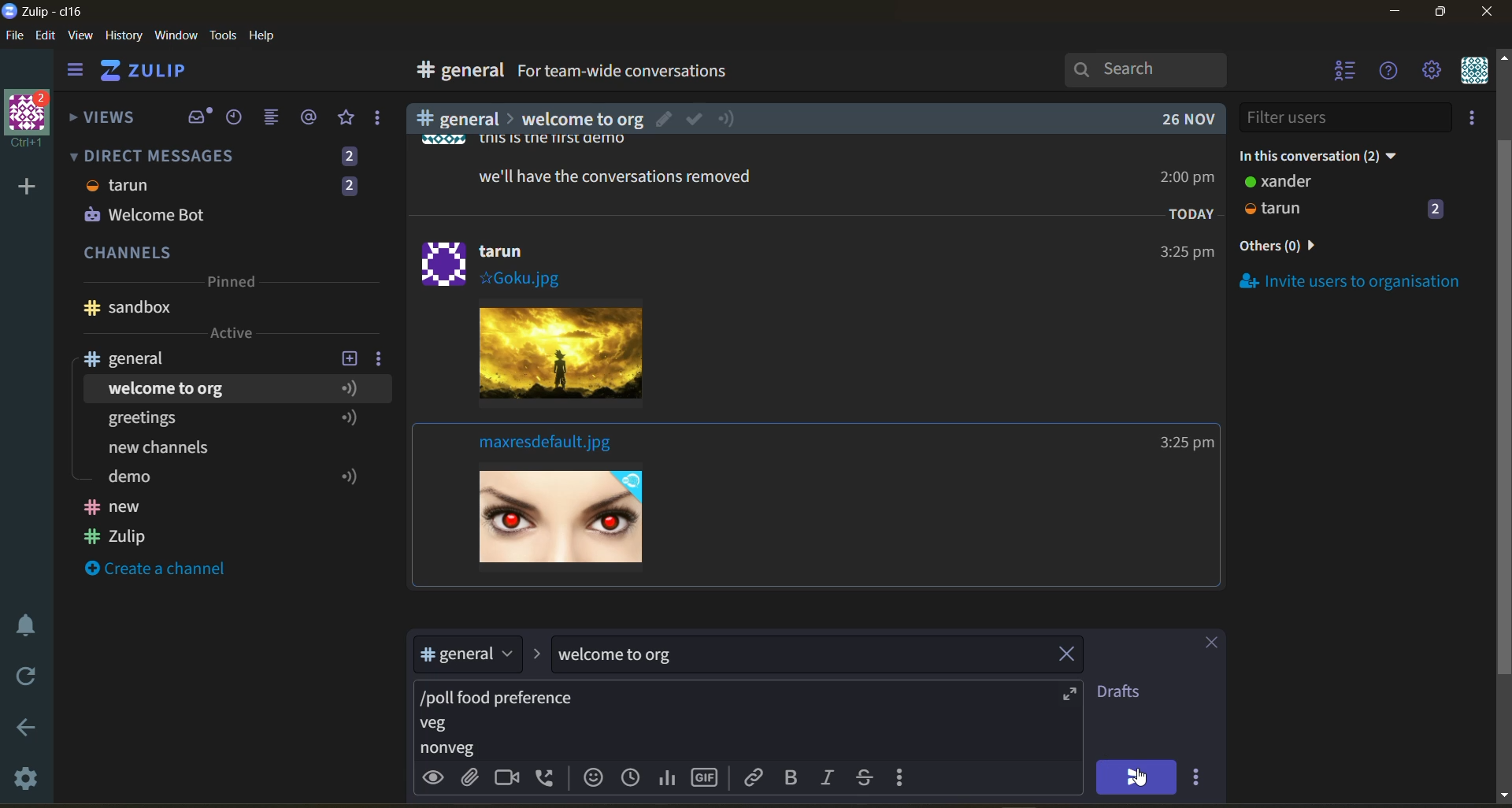  What do you see at coordinates (46, 37) in the screenshot?
I see `edit` at bounding box center [46, 37].